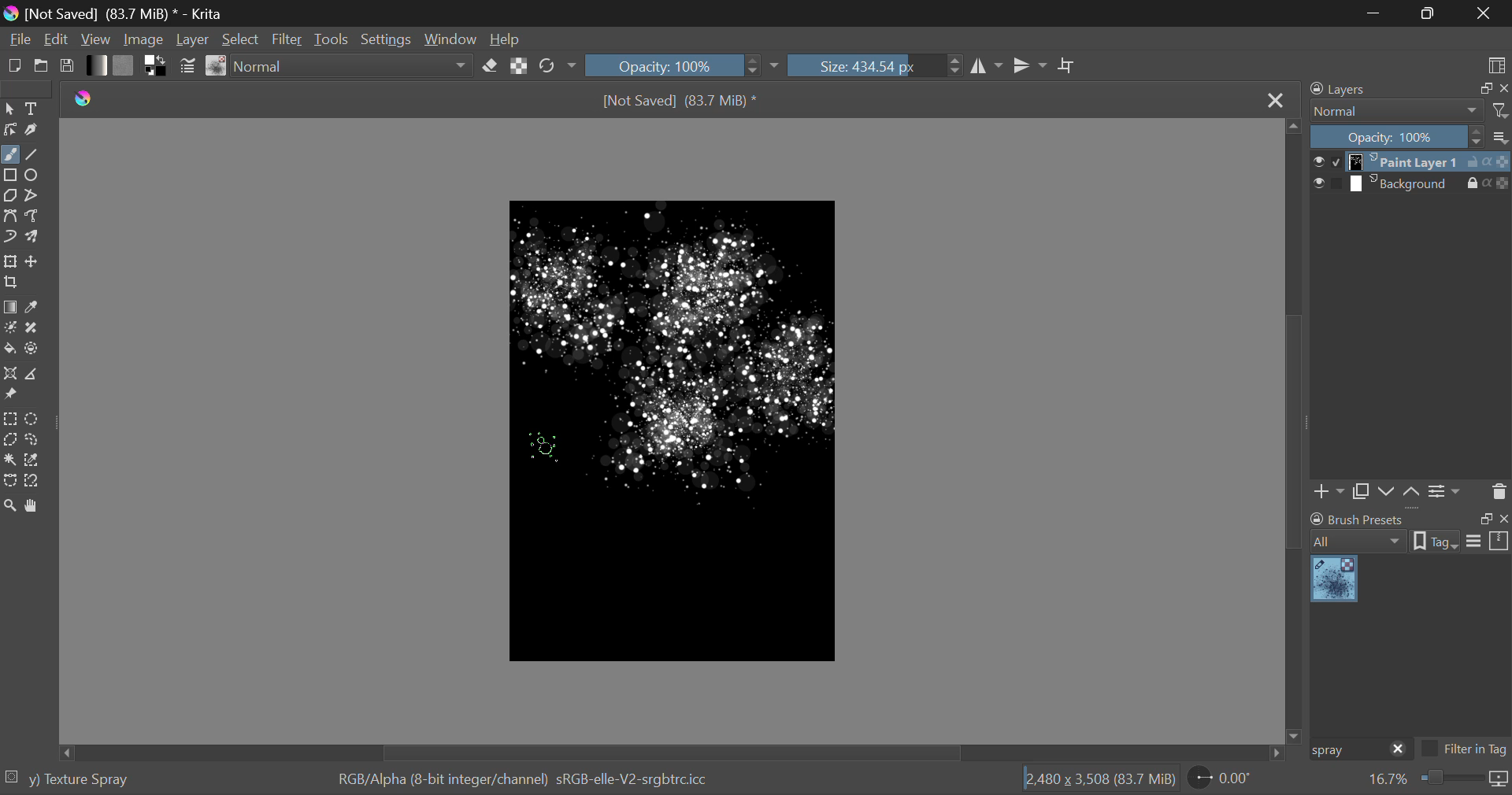  I want to click on Window, so click(453, 38).